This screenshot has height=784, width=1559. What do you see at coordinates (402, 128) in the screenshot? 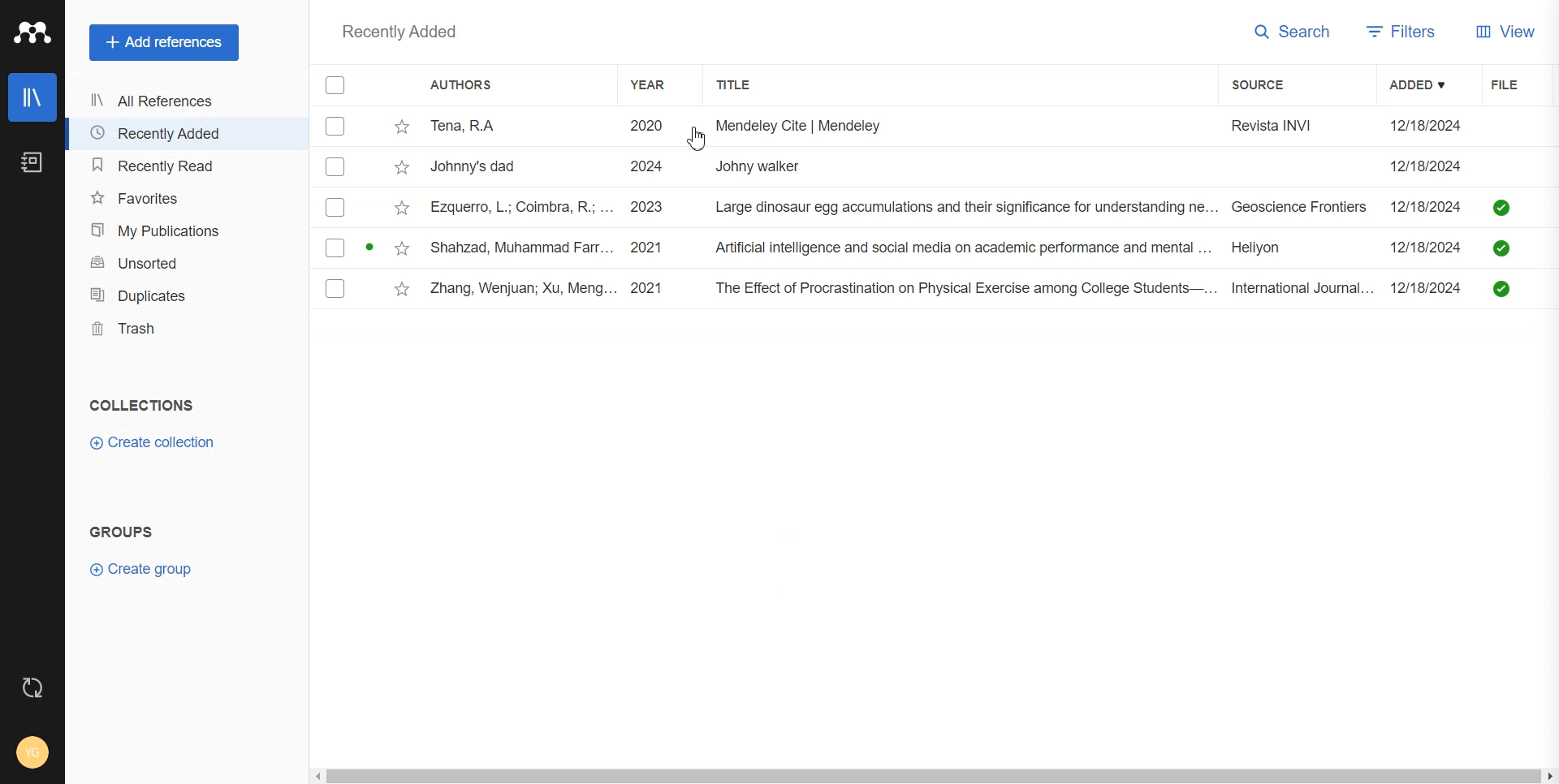
I see `Star` at bounding box center [402, 128].